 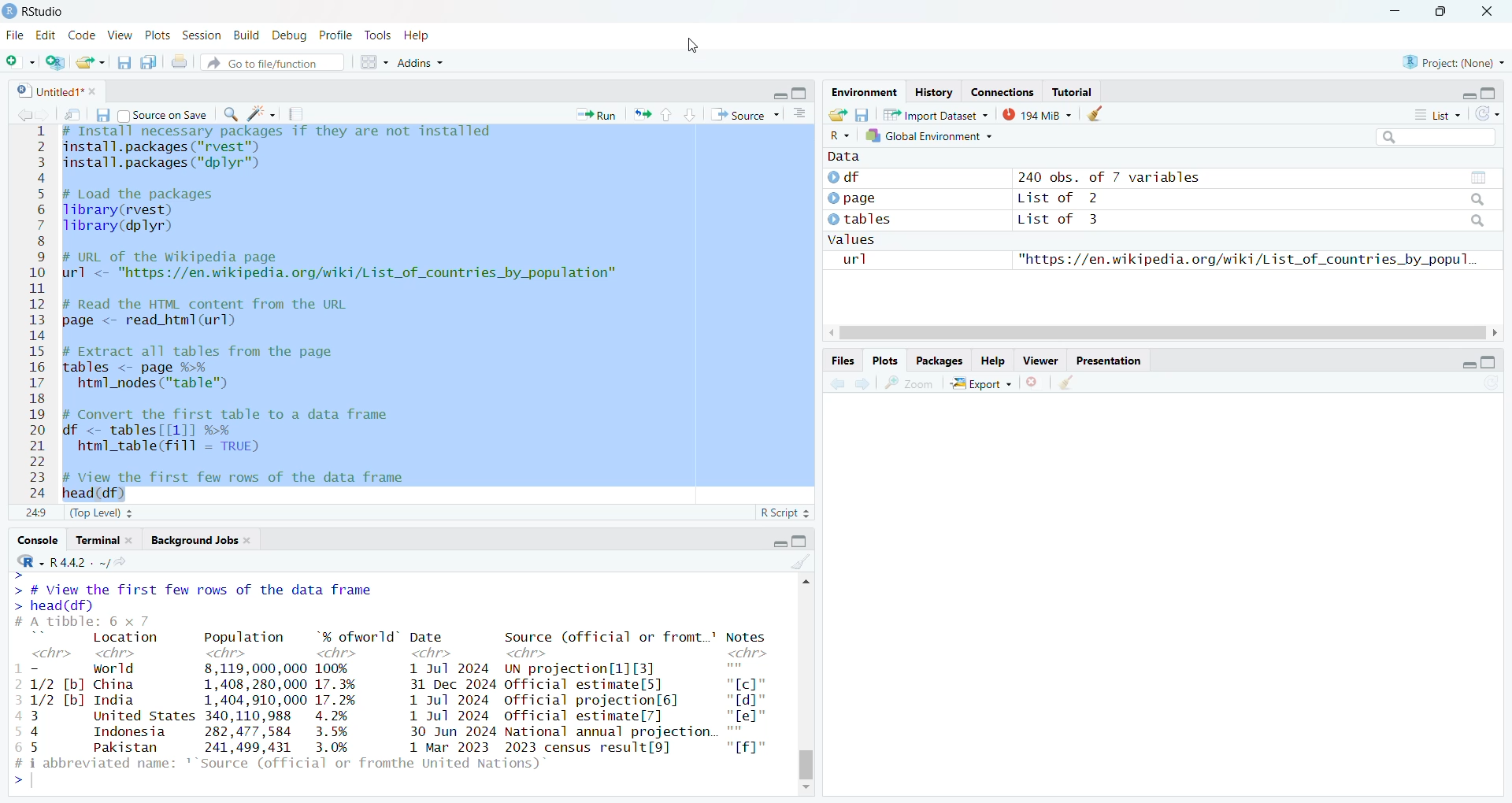 I want to click on  install necessary packages if they are not installed install.packages ("rvest") install.packages ("dplyr"), so click(x=278, y=152).